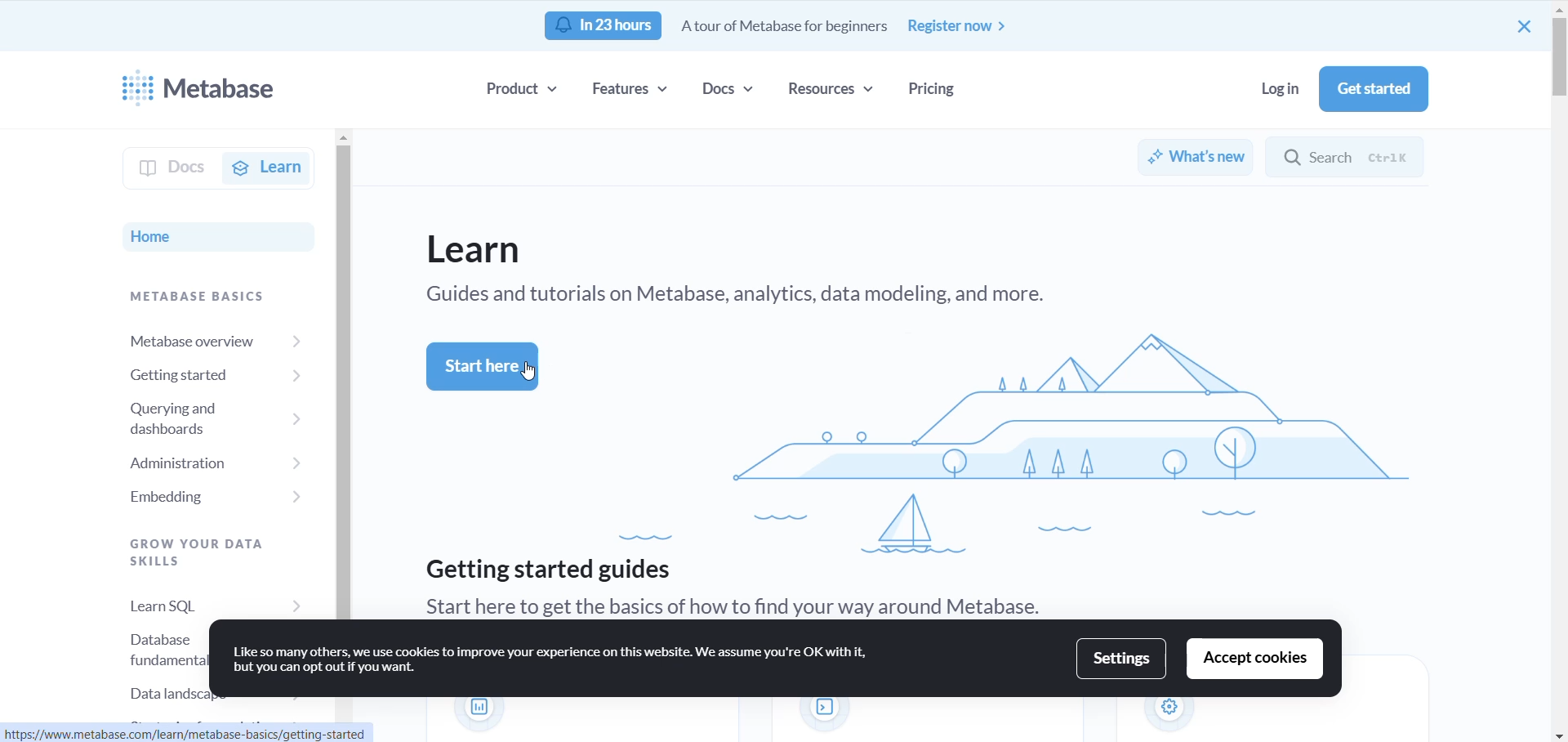 This screenshot has height=742, width=1568. What do you see at coordinates (527, 374) in the screenshot?
I see `text` at bounding box center [527, 374].